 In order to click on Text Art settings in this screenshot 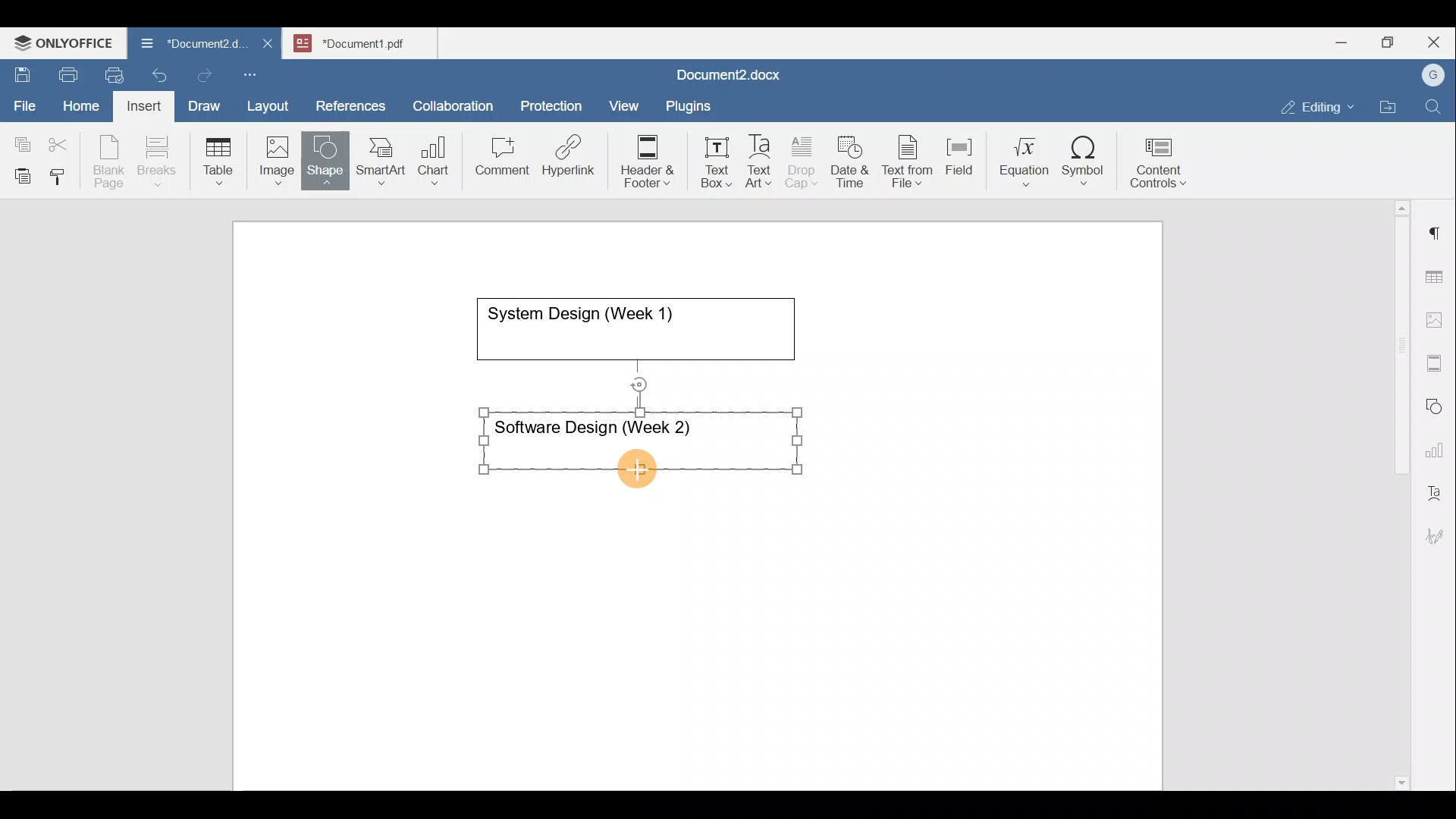, I will do `click(1436, 487)`.